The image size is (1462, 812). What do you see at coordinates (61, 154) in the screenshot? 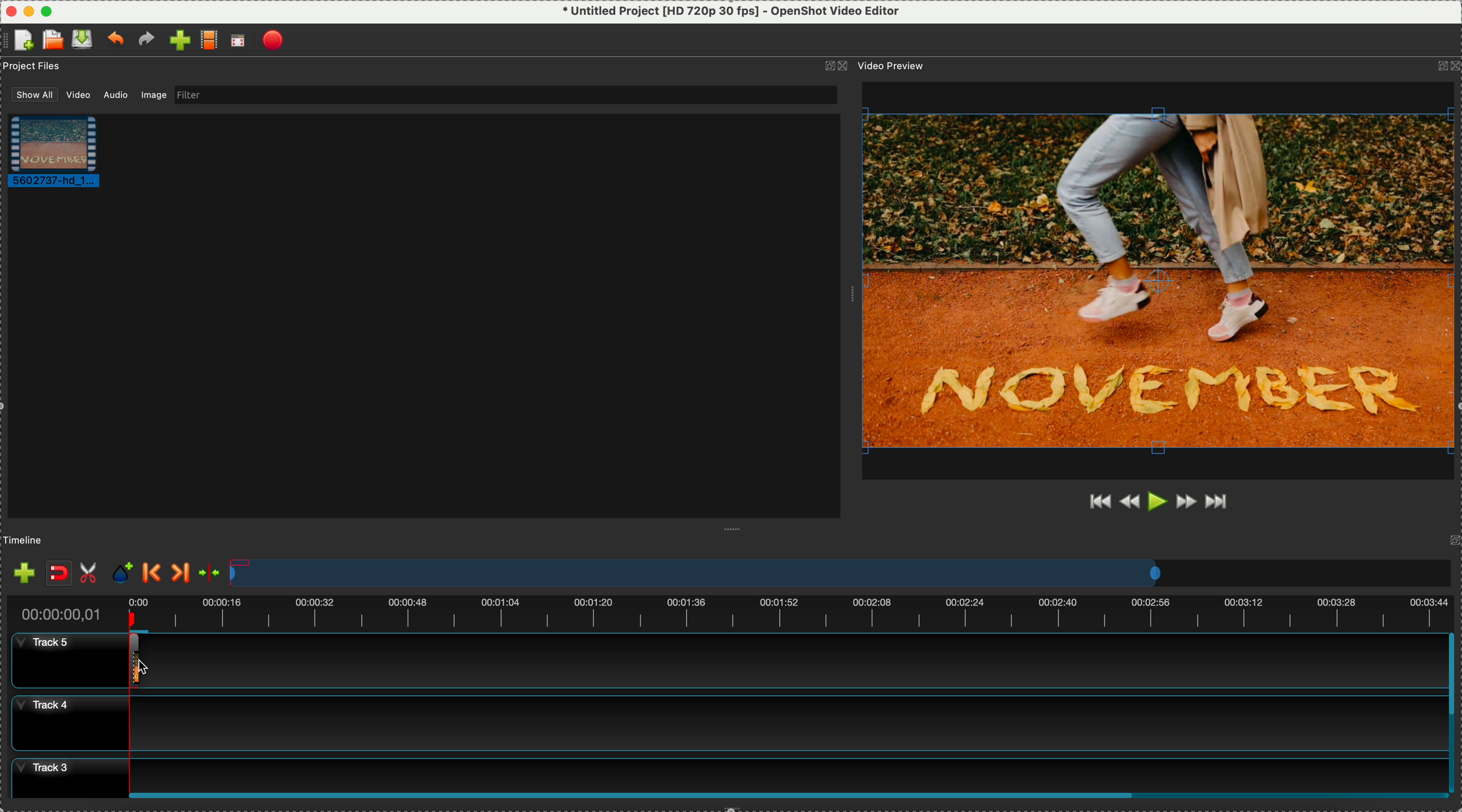
I see `video` at bounding box center [61, 154].